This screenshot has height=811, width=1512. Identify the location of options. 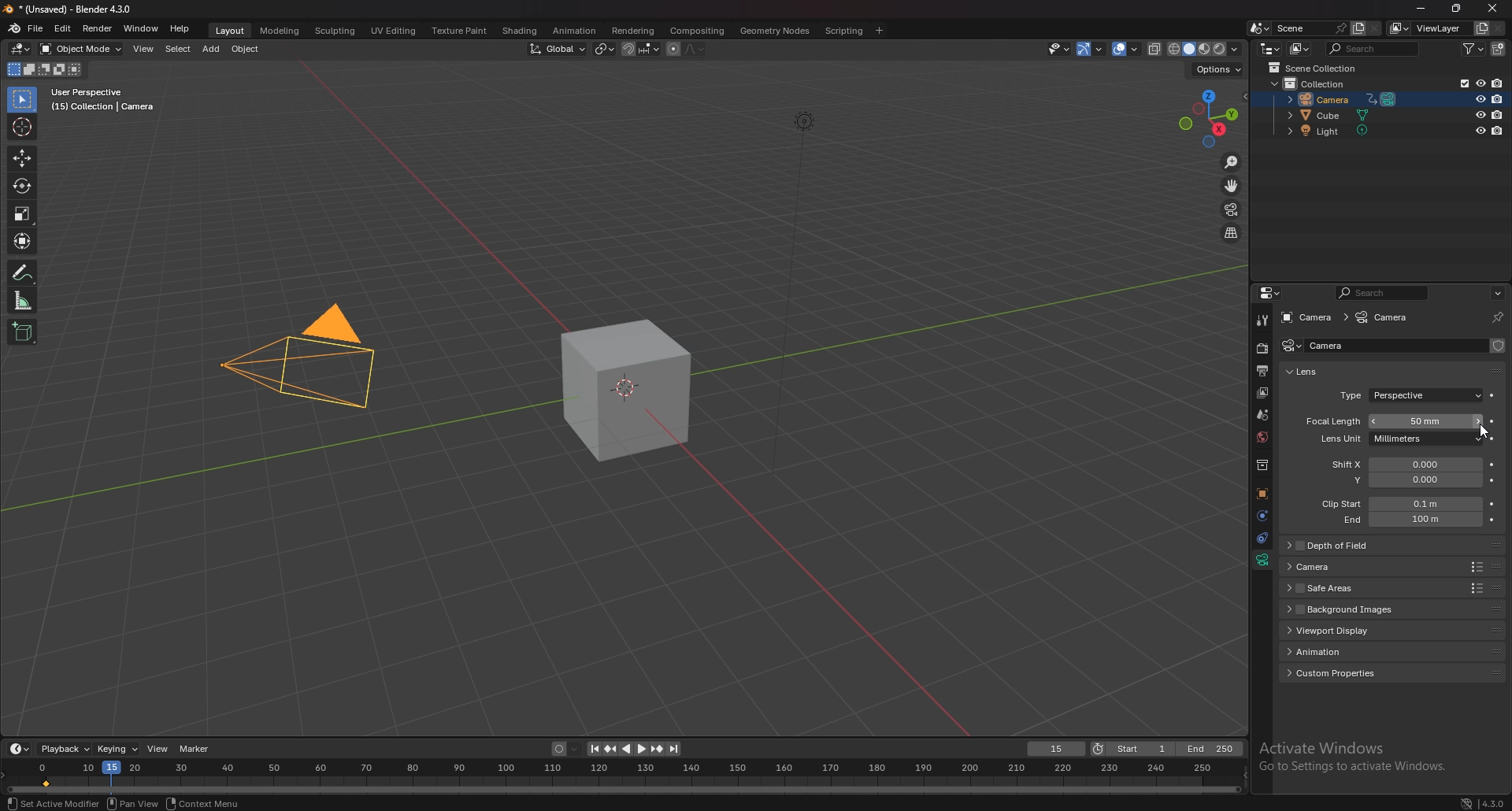
(1497, 291).